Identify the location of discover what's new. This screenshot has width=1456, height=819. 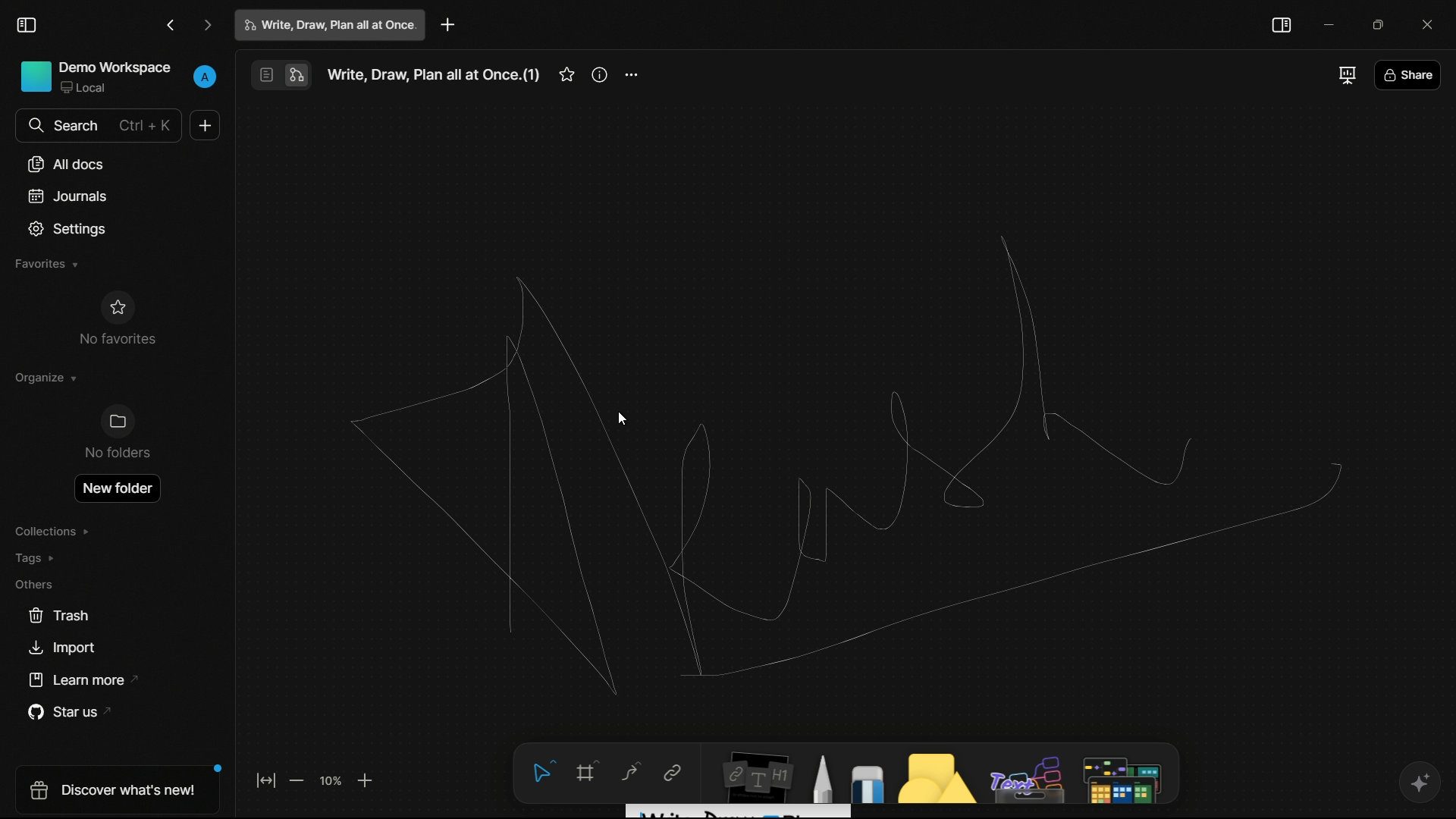
(115, 787).